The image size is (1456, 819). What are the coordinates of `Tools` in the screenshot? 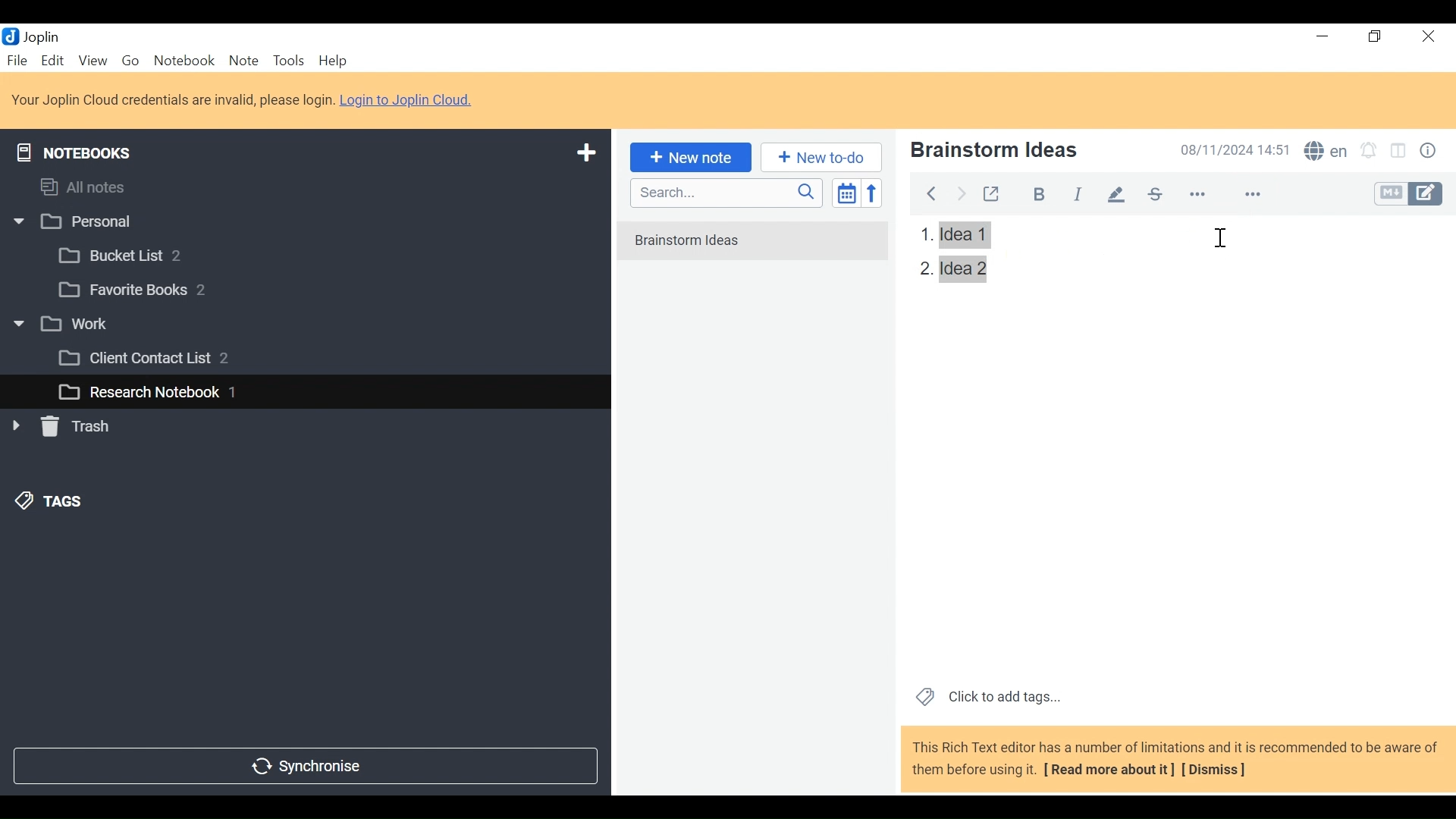 It's located at (287, 61).